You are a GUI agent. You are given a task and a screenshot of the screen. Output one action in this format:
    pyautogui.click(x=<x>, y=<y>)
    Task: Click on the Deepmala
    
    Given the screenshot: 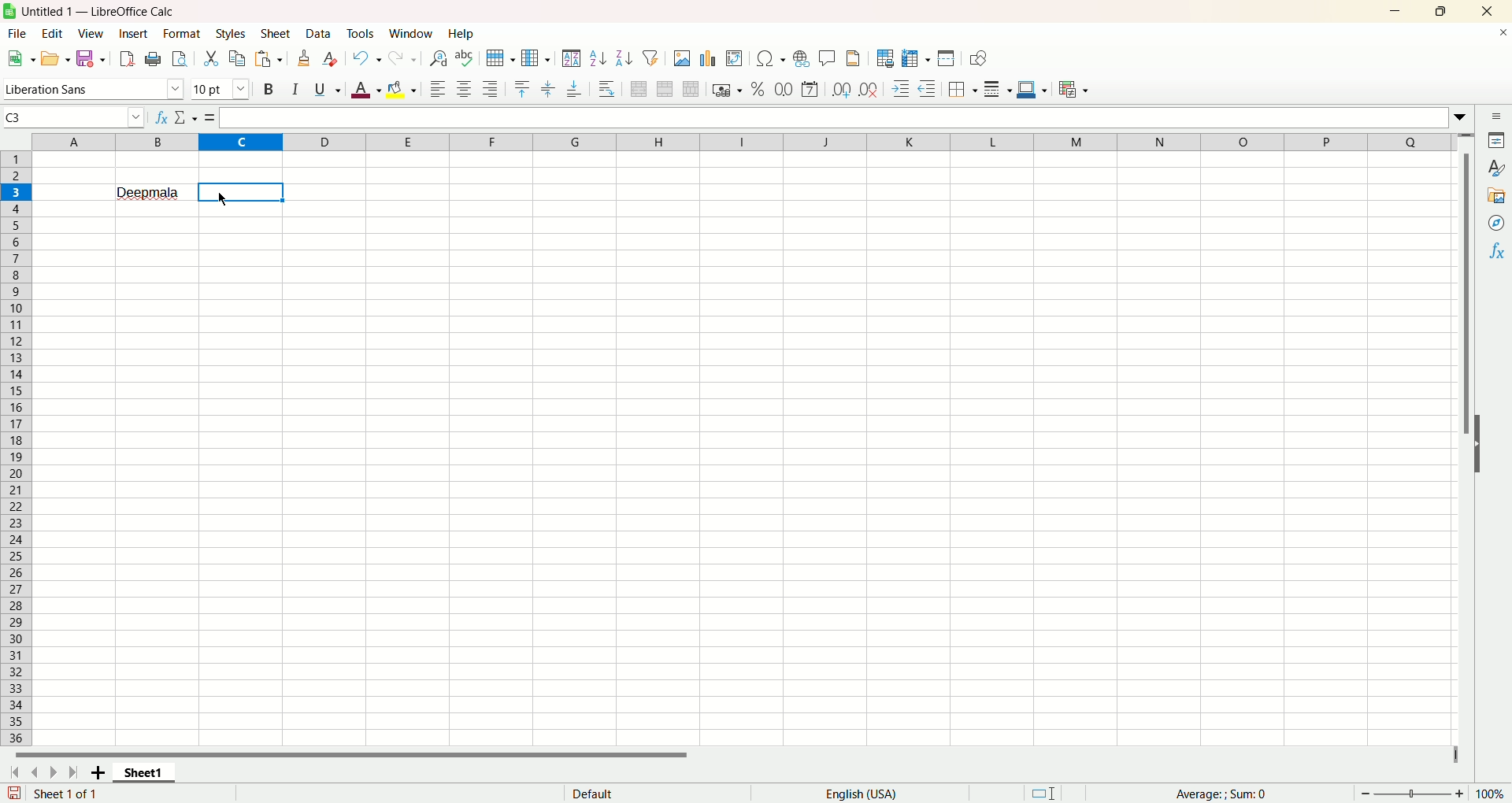 What is the action you would take?
    pyautogui.click(x=150, y=191)
    